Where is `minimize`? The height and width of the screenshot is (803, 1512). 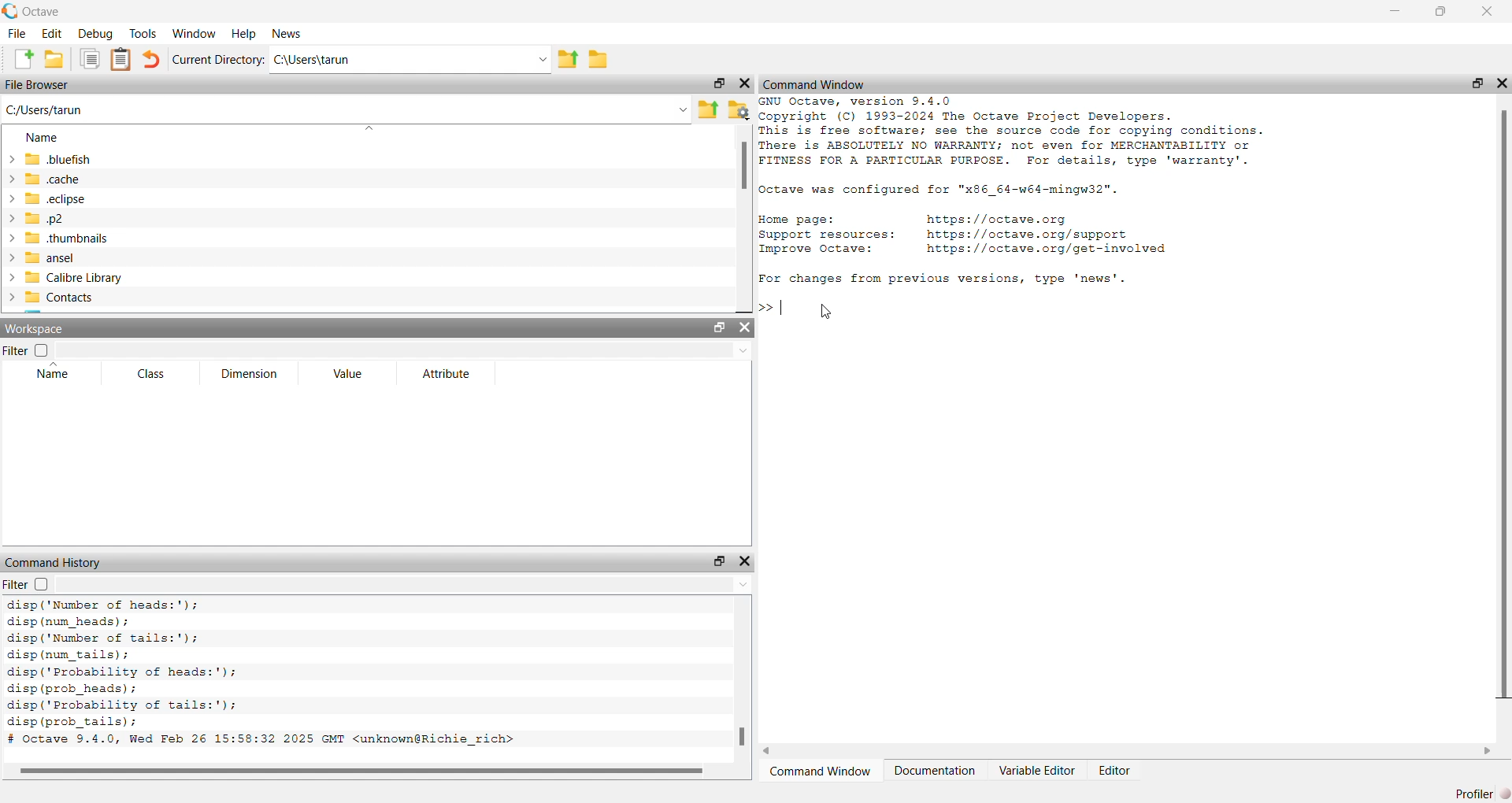 minimize is located at coordinates (1395, 11).